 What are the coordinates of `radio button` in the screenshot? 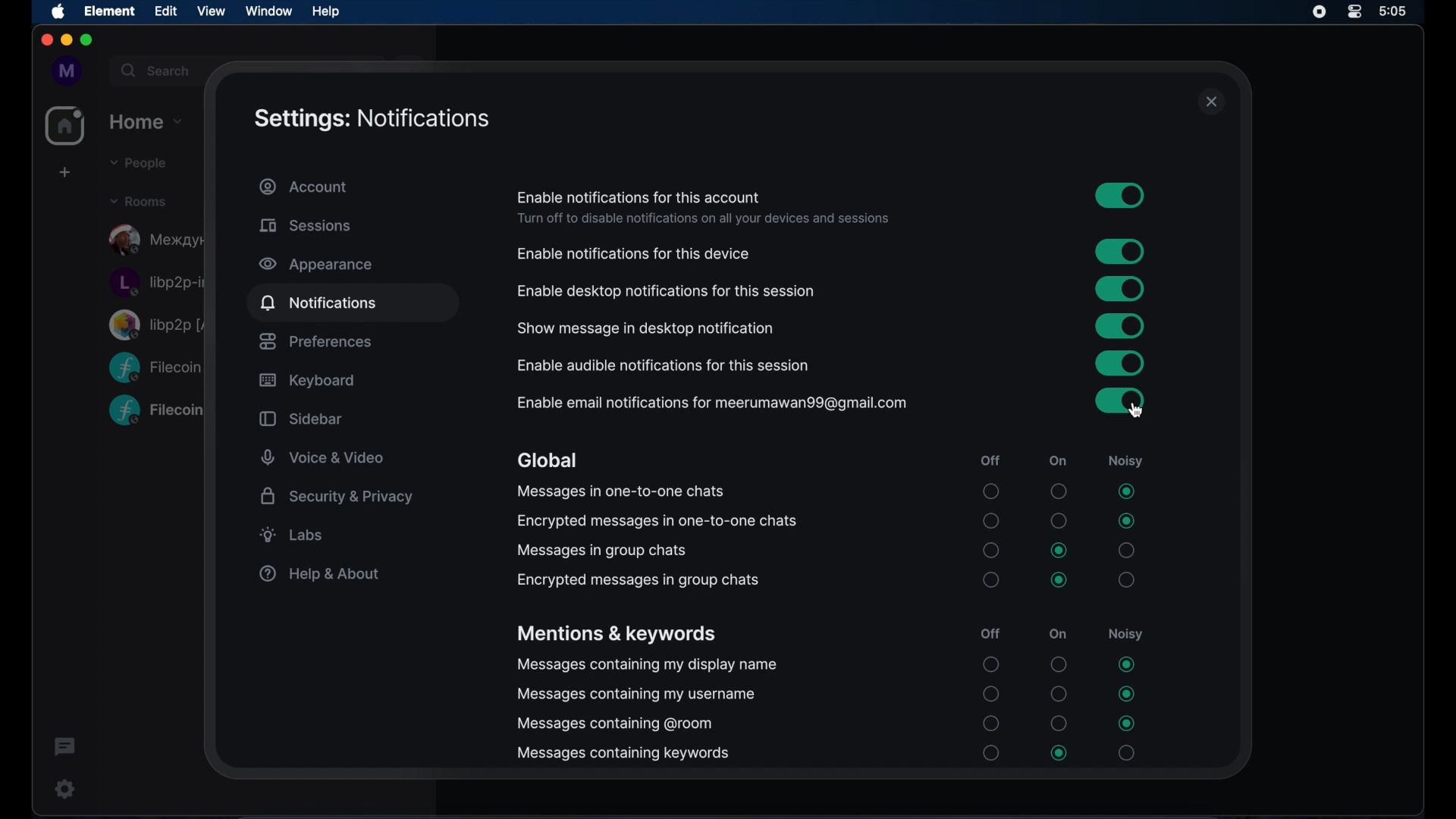 It's located at (1059, 664).